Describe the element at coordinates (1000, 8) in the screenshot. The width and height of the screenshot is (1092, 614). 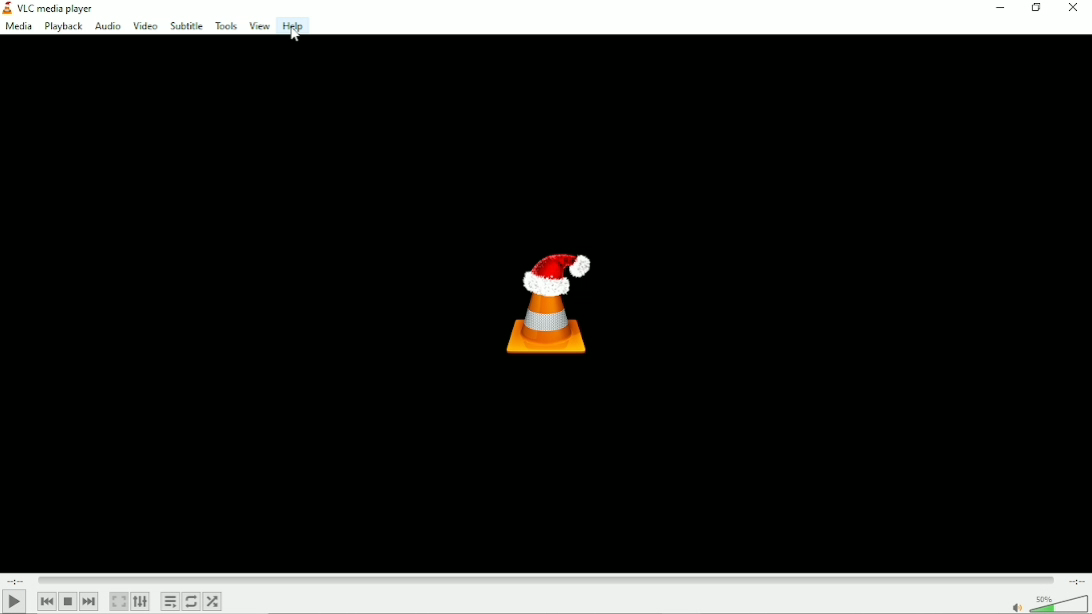
I see `Minimize` at that location.